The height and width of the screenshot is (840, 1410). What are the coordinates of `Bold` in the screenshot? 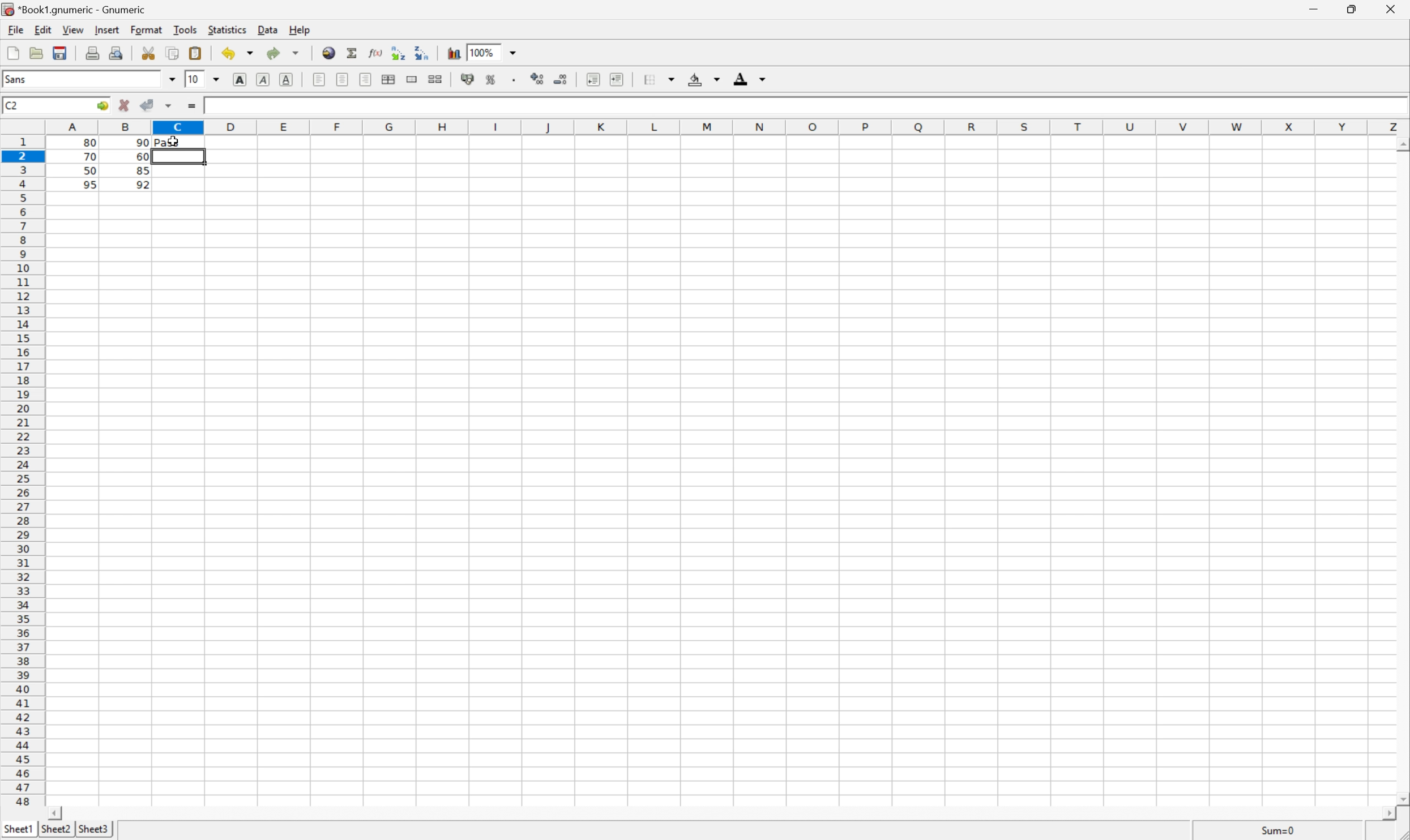 It's located at (240, 78).